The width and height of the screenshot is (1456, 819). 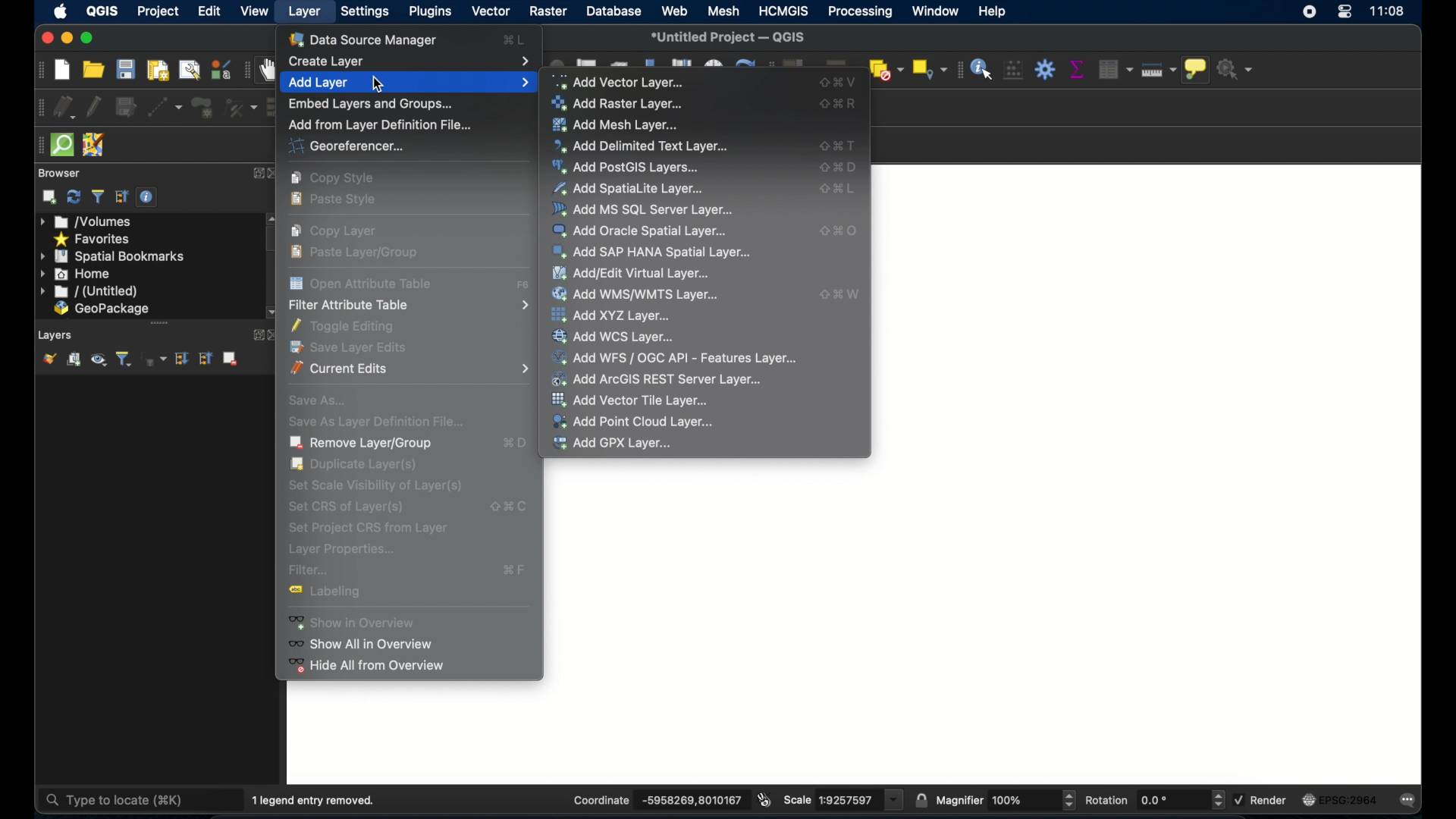 What do you see at coordinates (599, 799) in the screenshot?
I see `coordinate` at bounding box center [599, 799].